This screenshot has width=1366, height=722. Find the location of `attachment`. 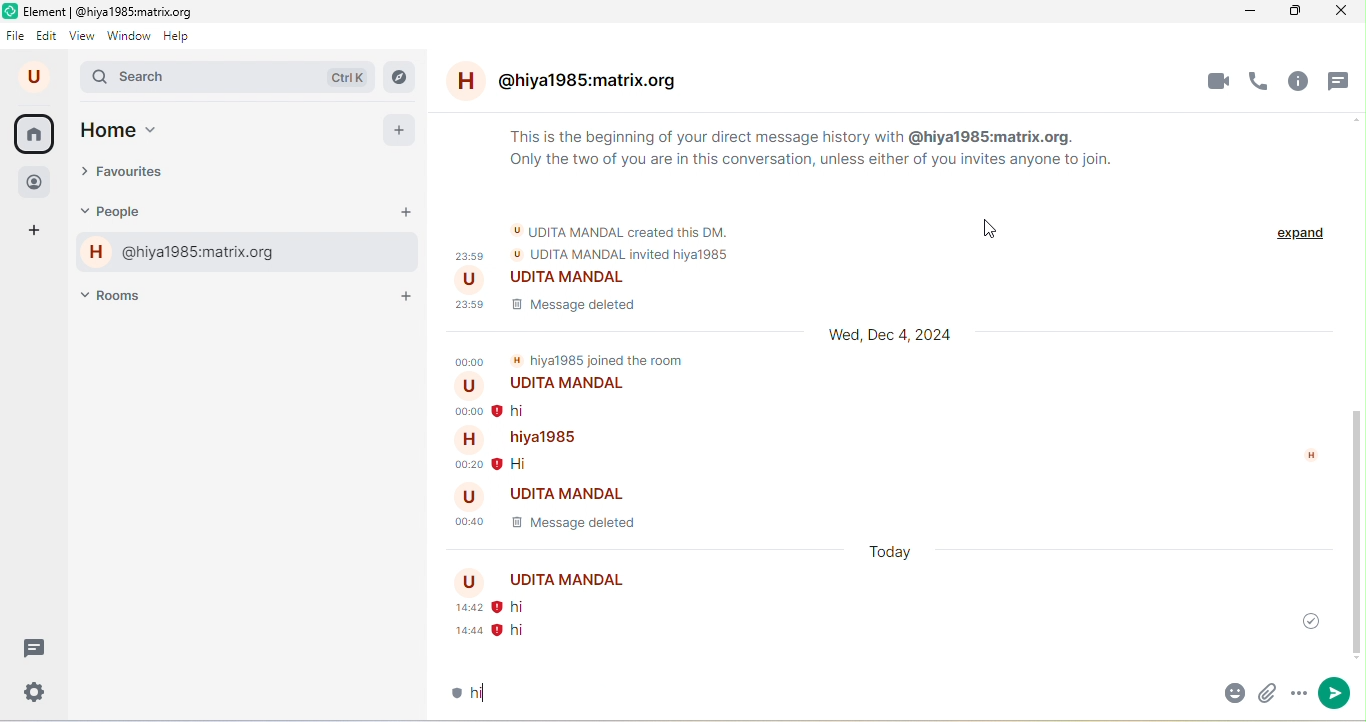

attachment is located at coordinates (1265, 696).